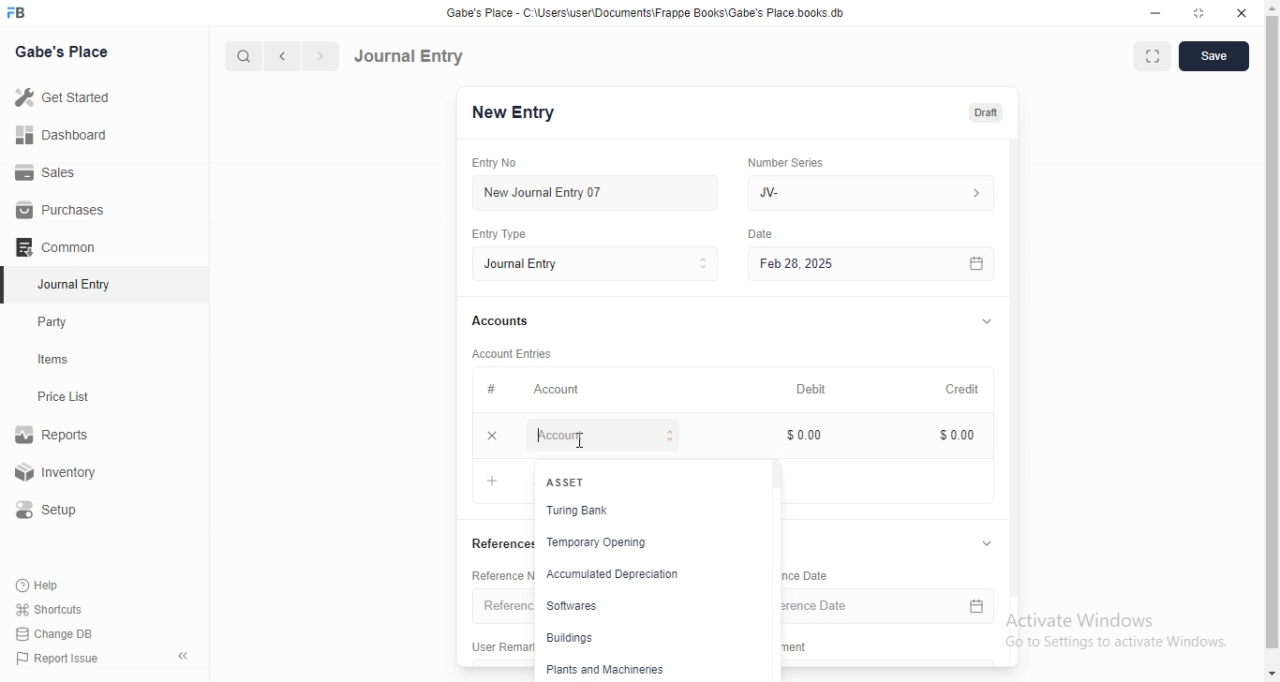 This screenshot has width=1280, height=682. What do you see at coordinates (1272, 332) in the screenshot?
I see `scrollbar` at bounding box center [1272, 332].